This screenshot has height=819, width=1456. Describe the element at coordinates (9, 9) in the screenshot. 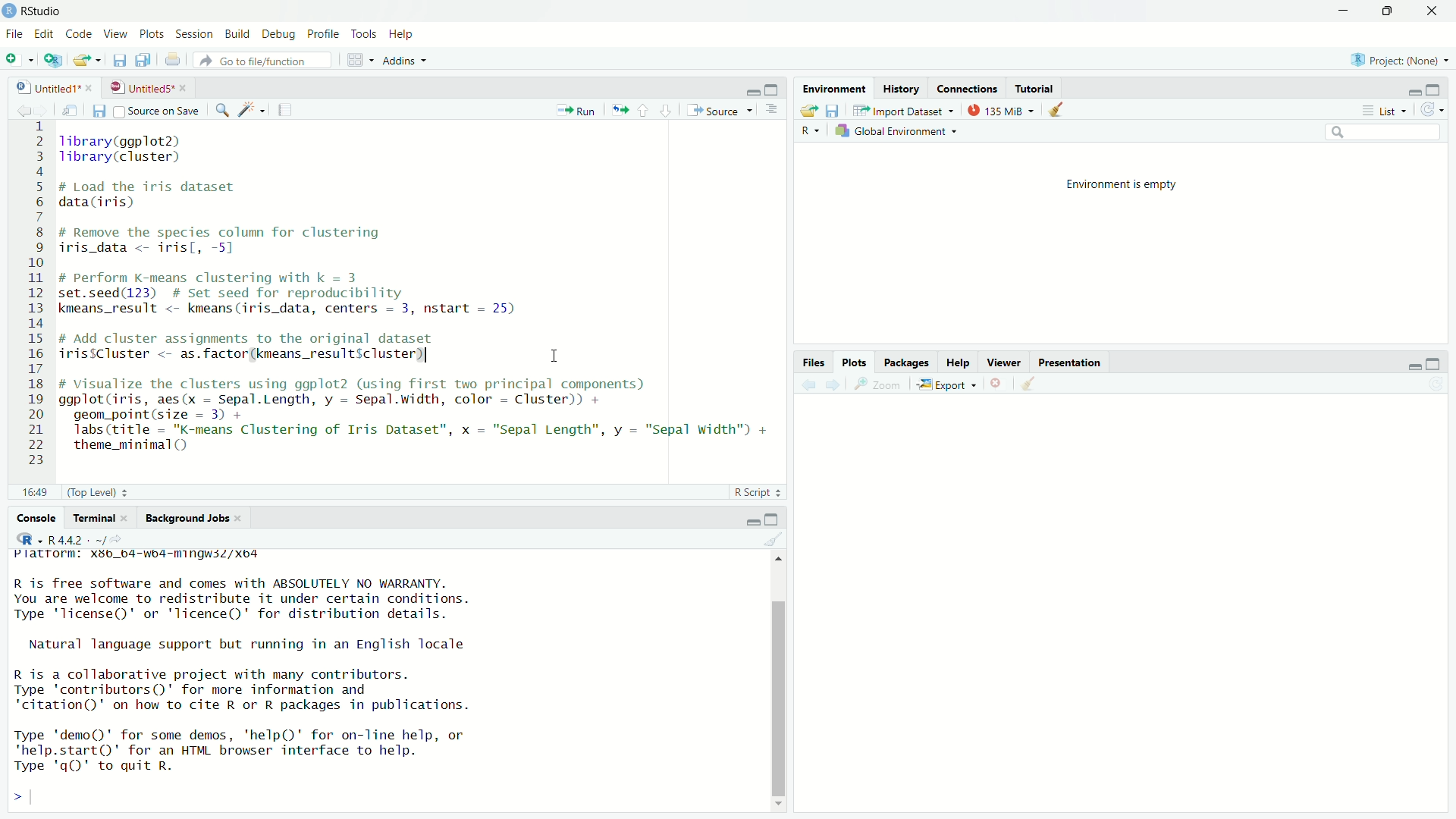

I see `logo` at that location.